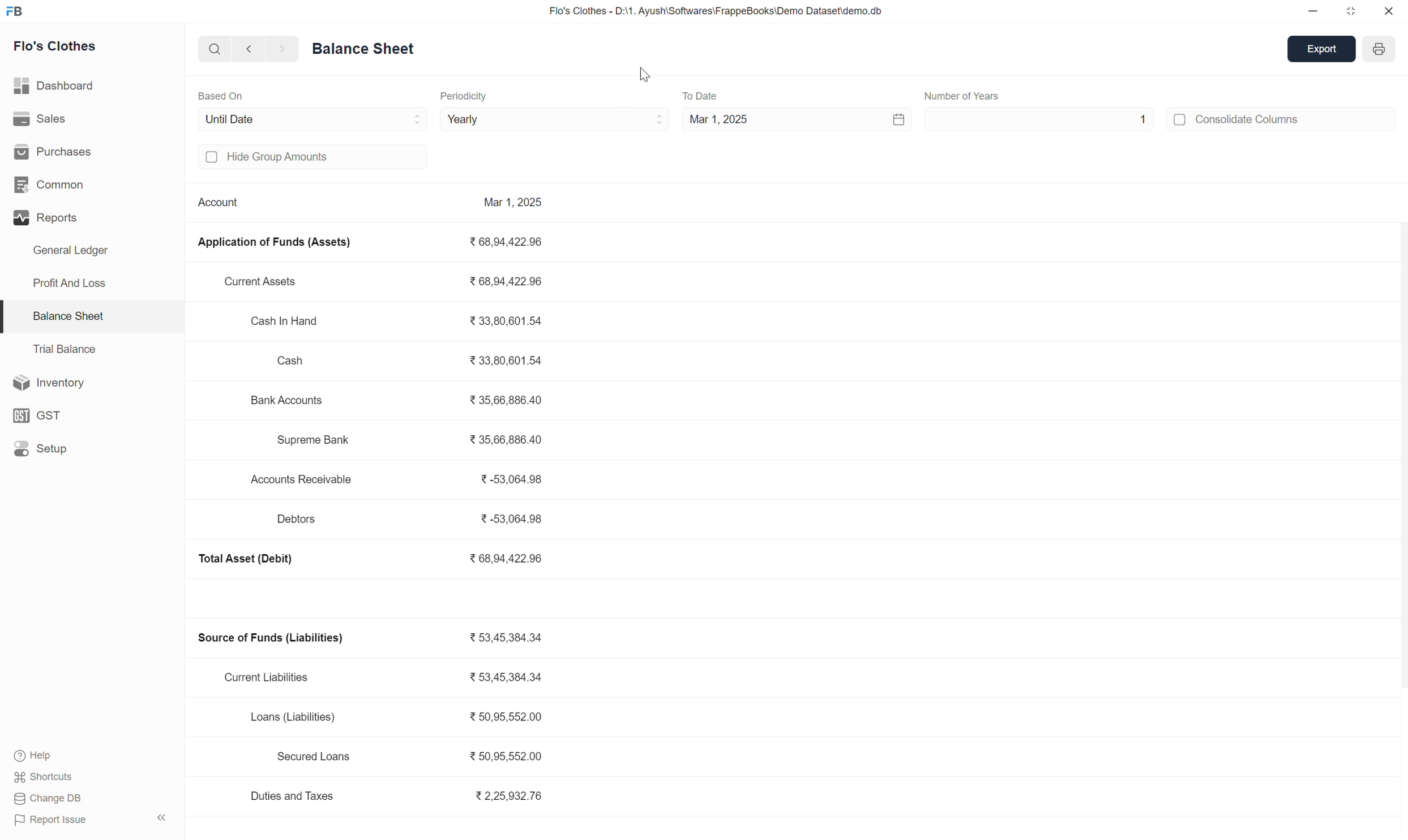  Describe the element at coordinates (645, 74) in the screenshot. I see `cursor` at that location.